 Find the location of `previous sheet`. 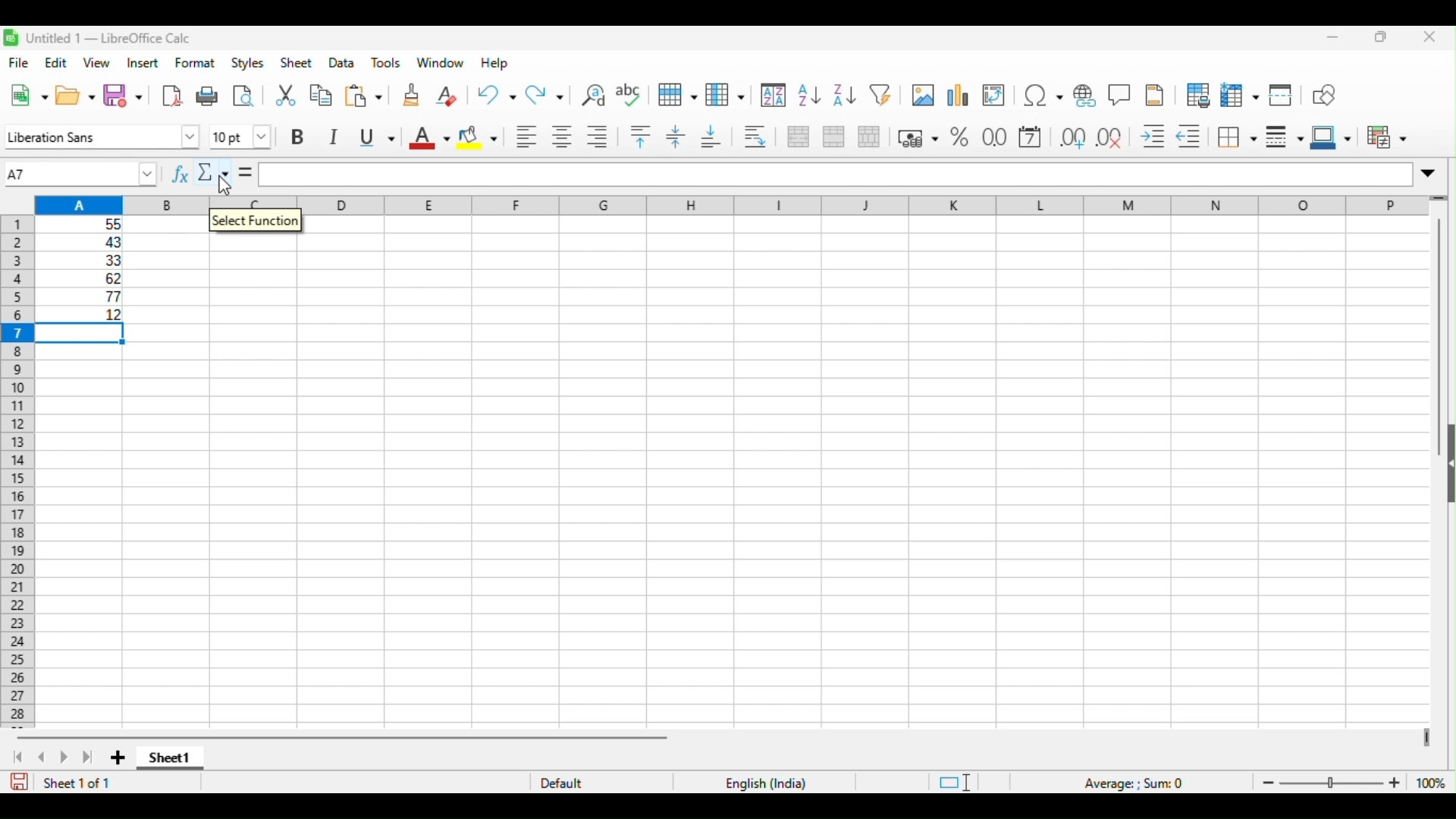

previous sheet is located at coordinates (44, 758).